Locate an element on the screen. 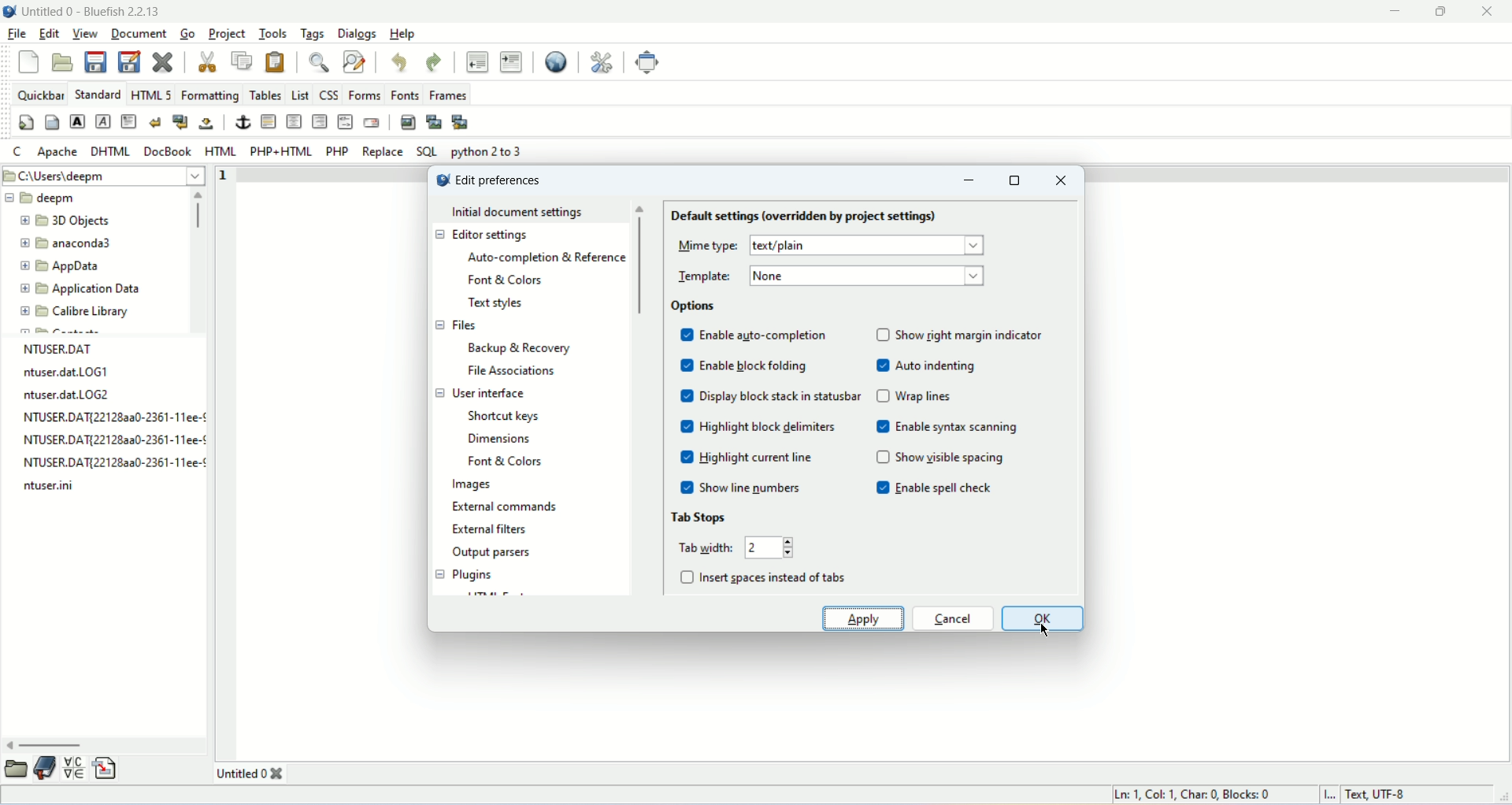 This screenshot has width=1512, height=805. formatting is located at coordinates (209, 94).